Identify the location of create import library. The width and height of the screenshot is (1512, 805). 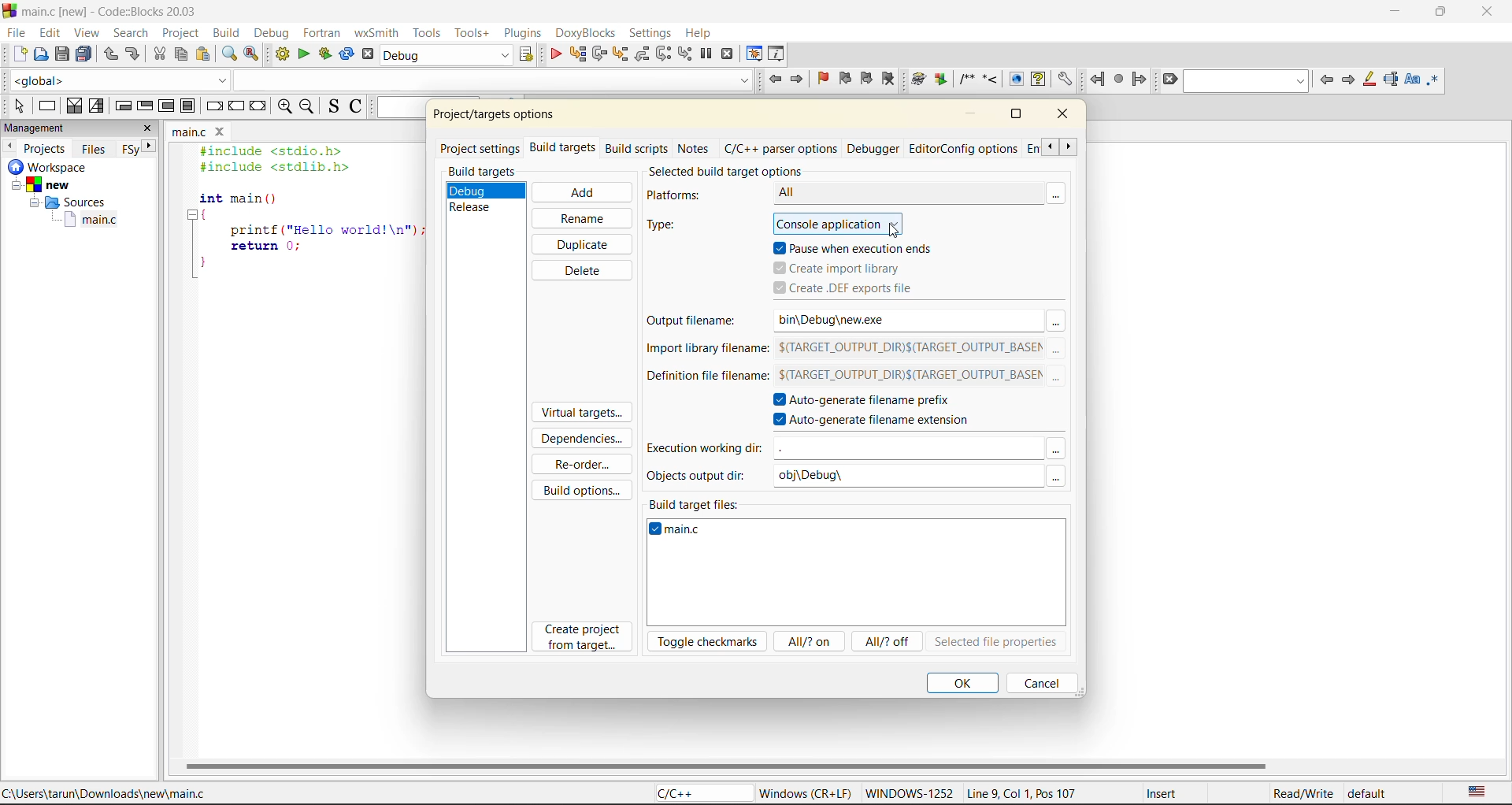
(840, 269).